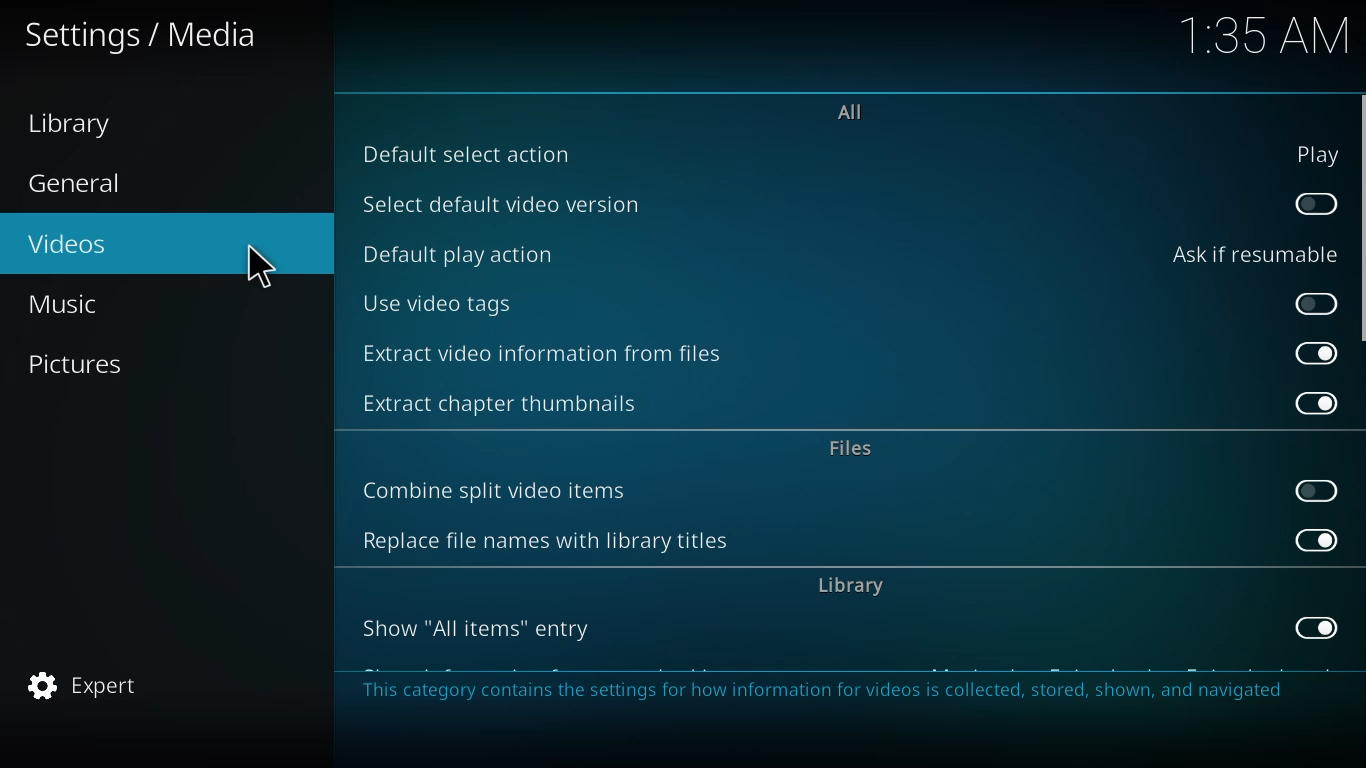 Image resolution: width=1366 pixels, height=768 pixels. I want to click on enable, so click(1318, 491).